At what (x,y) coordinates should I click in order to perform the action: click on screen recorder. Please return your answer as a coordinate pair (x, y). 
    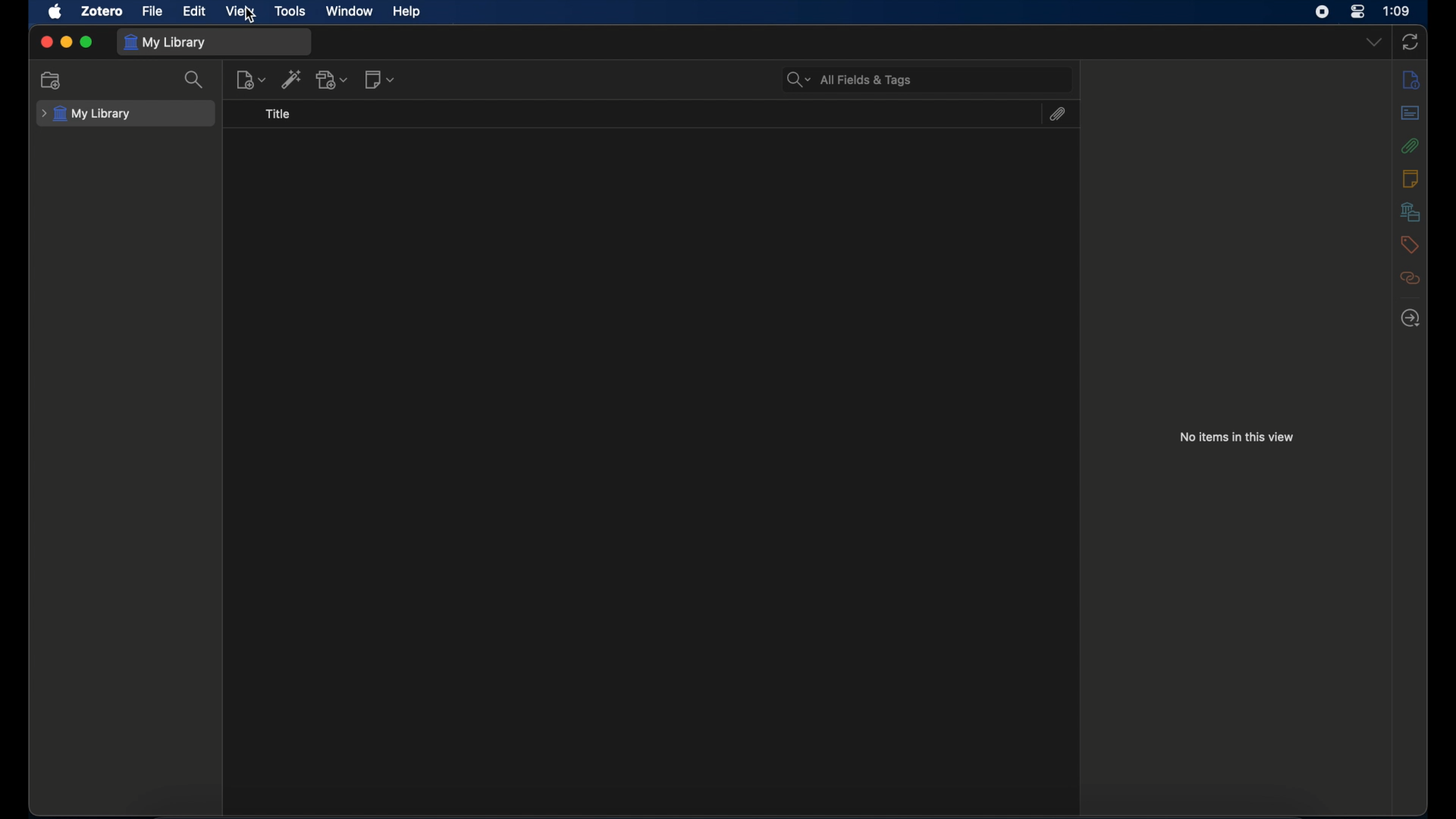
    Looking at the image, I should click on (1323, 12).